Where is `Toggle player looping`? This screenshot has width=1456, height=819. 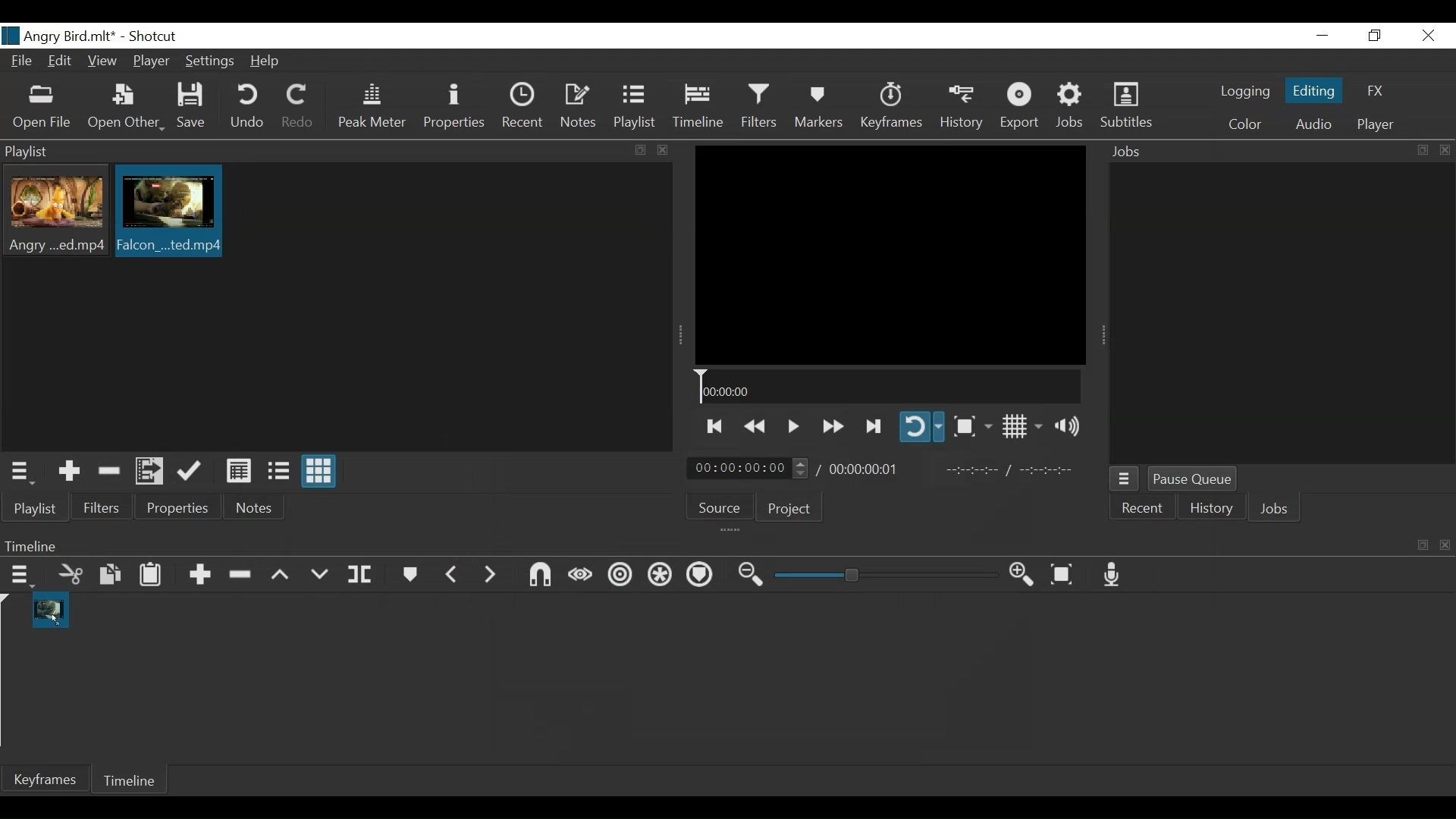
Toggle player looping is located at coordinates (921, 426).